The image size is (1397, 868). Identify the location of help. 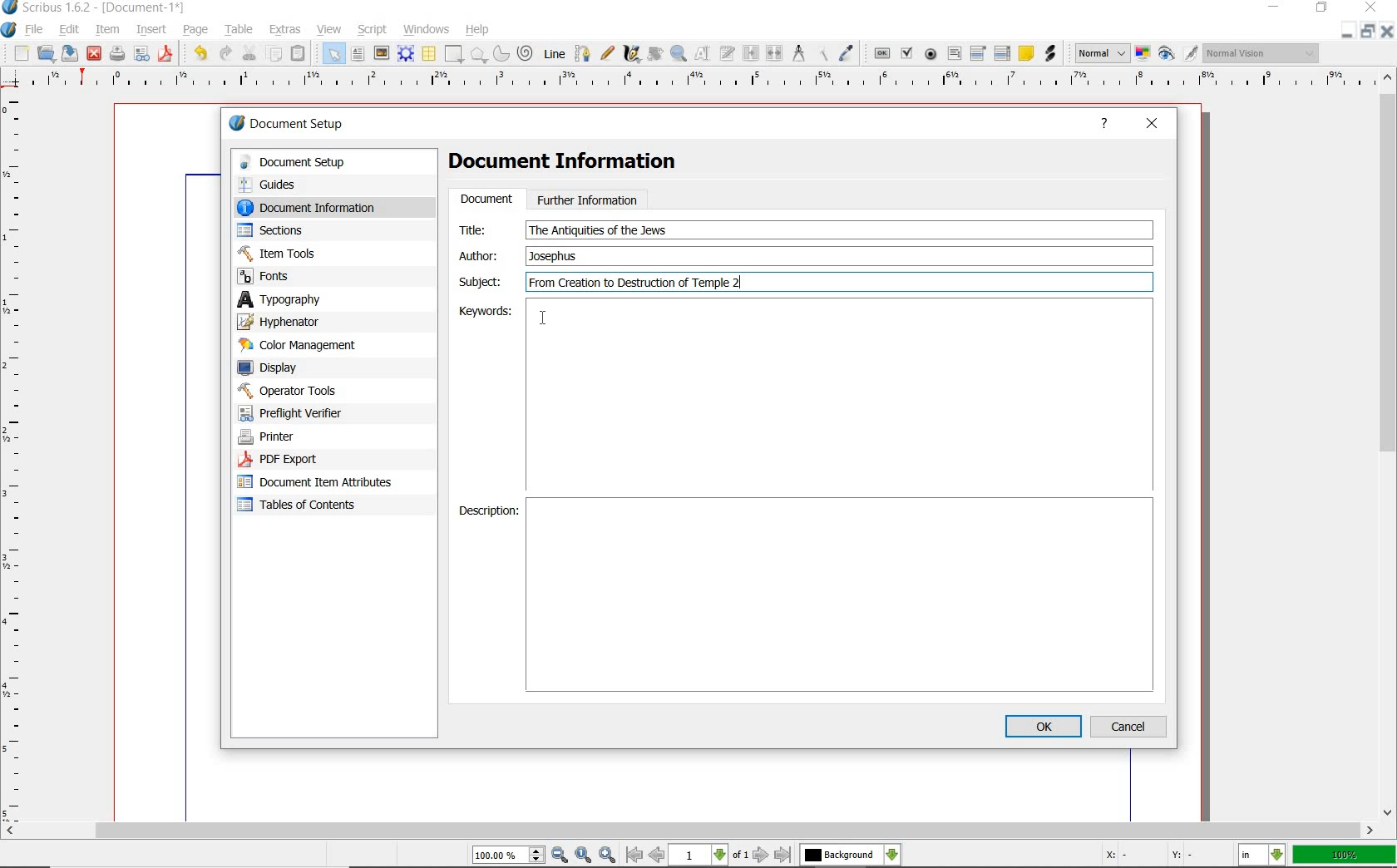
(1104, 126).